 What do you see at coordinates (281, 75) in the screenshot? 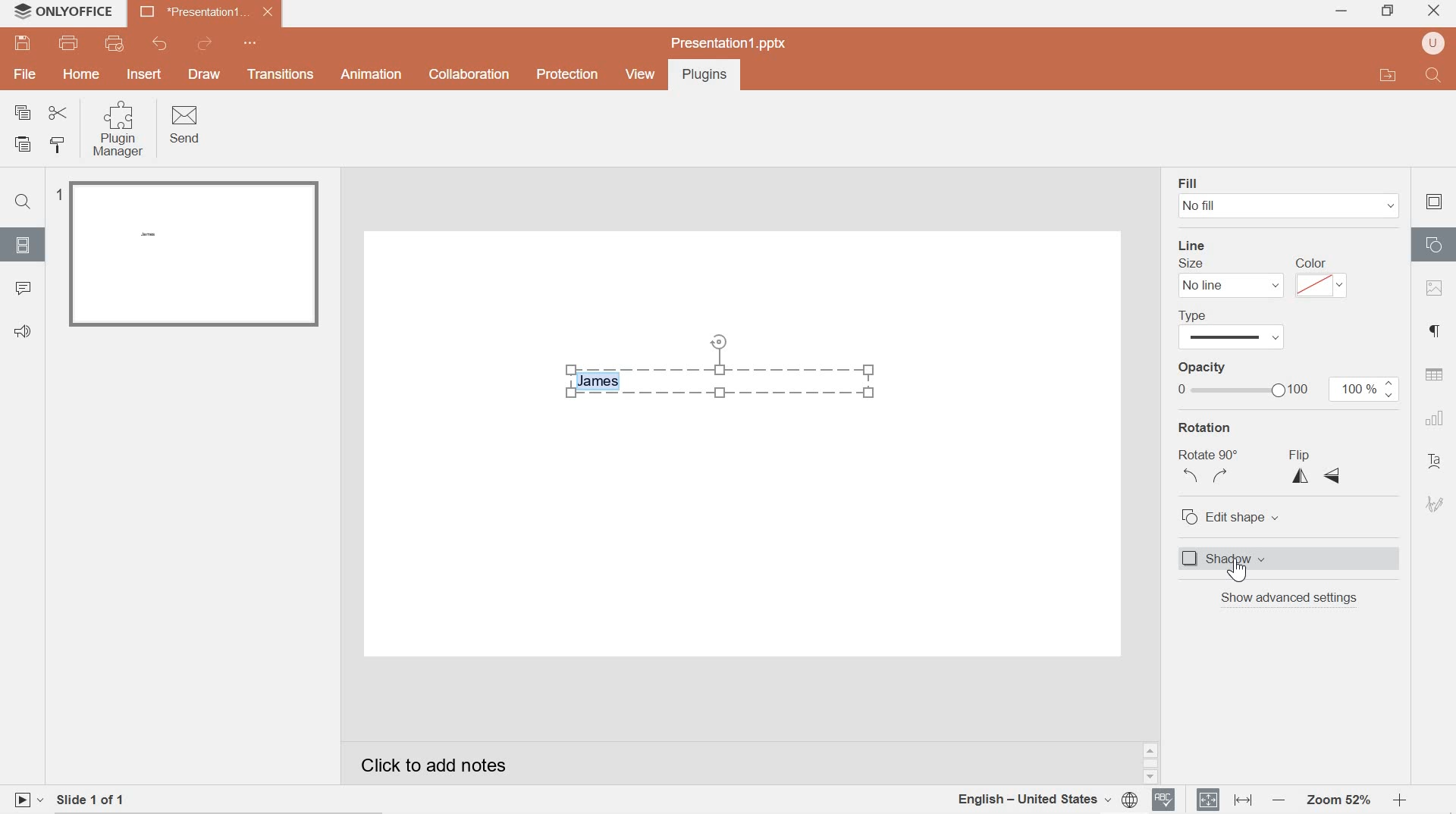
I see `Transitions` at bounding box center [281, 75].